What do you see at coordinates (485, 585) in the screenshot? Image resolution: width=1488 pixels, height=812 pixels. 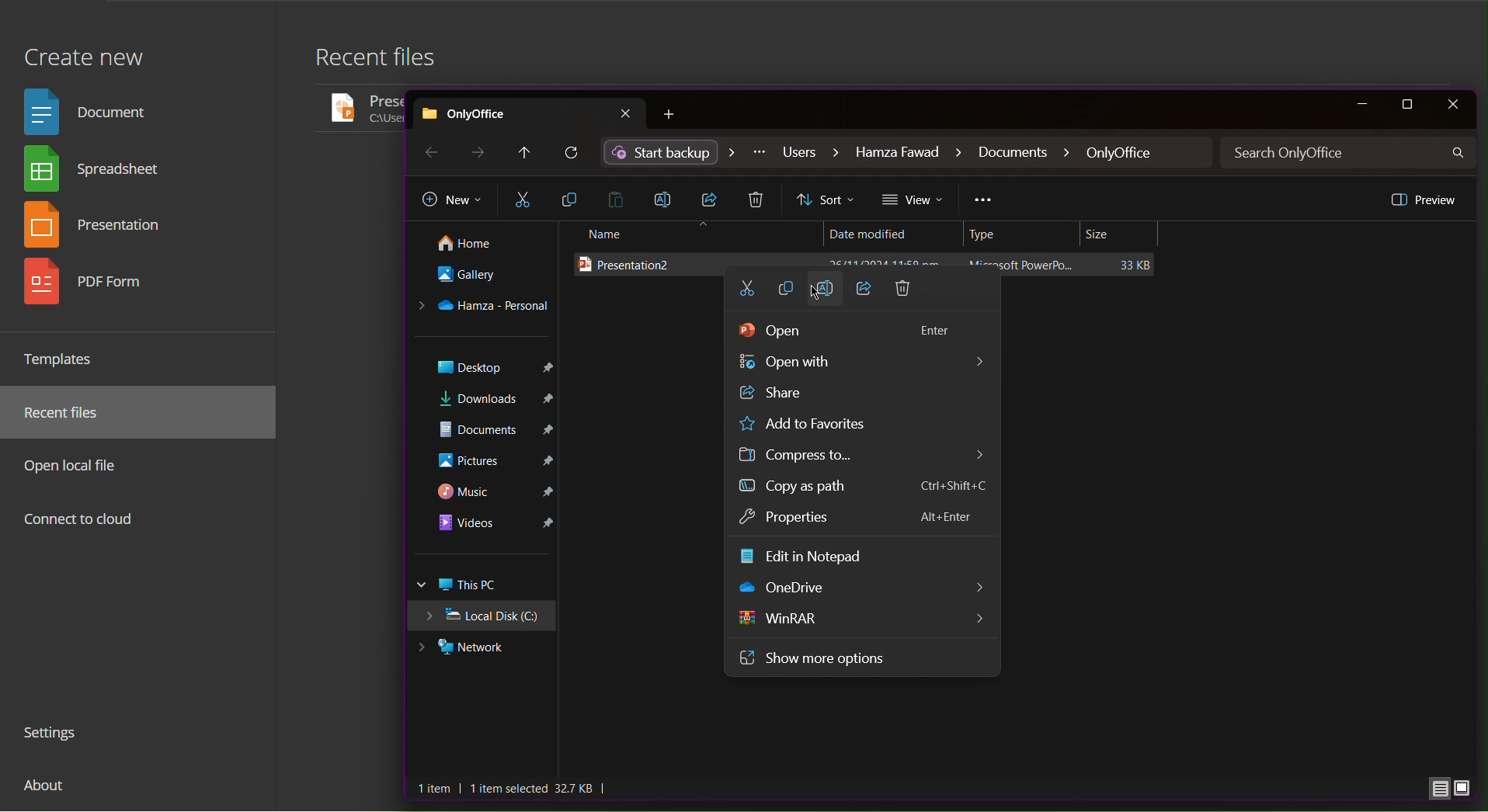 I see `This PC` at bounding box center [485, 585].